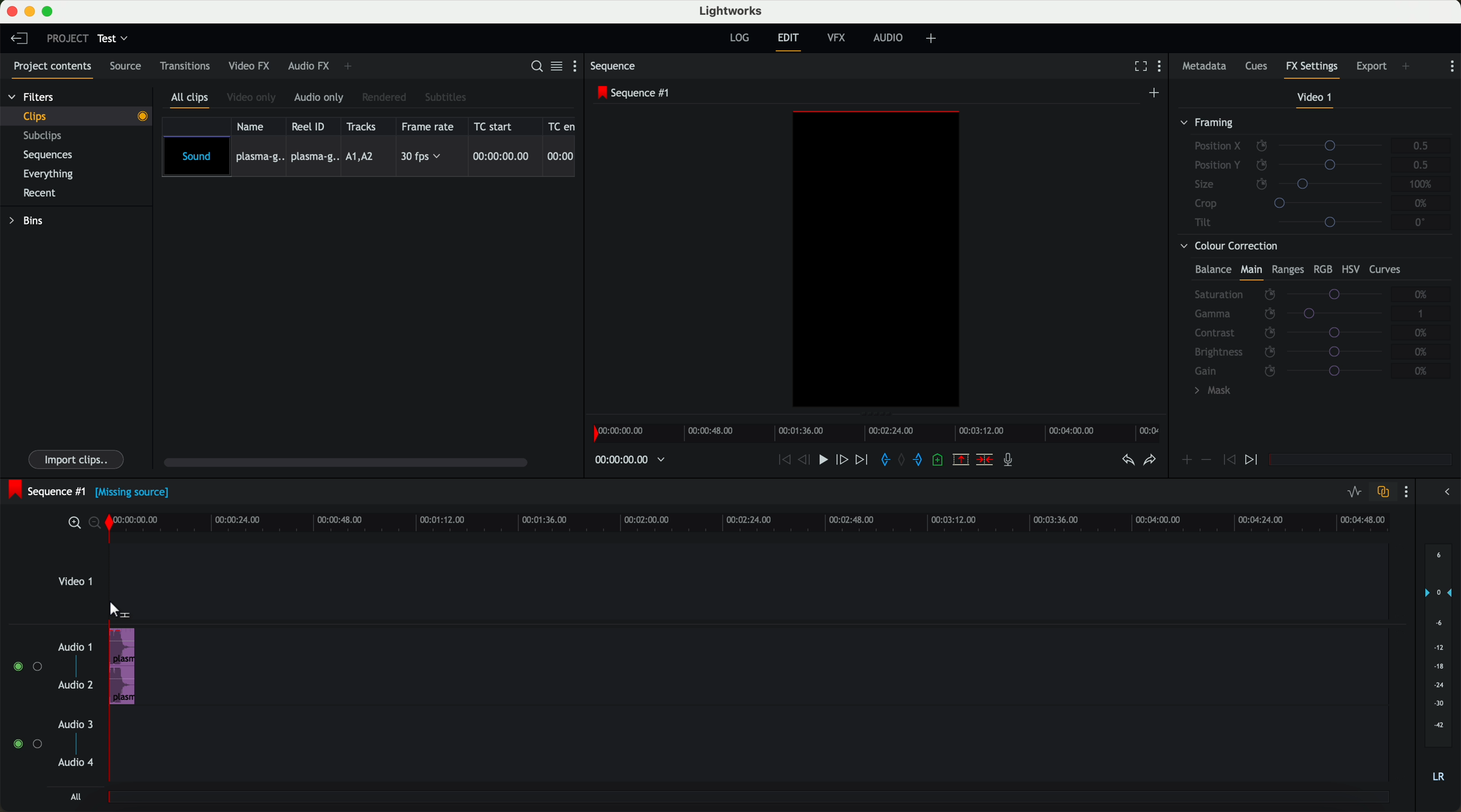  Describe the element at coordinates (49, 68) in the screenshot. I see `project contents` at that location.